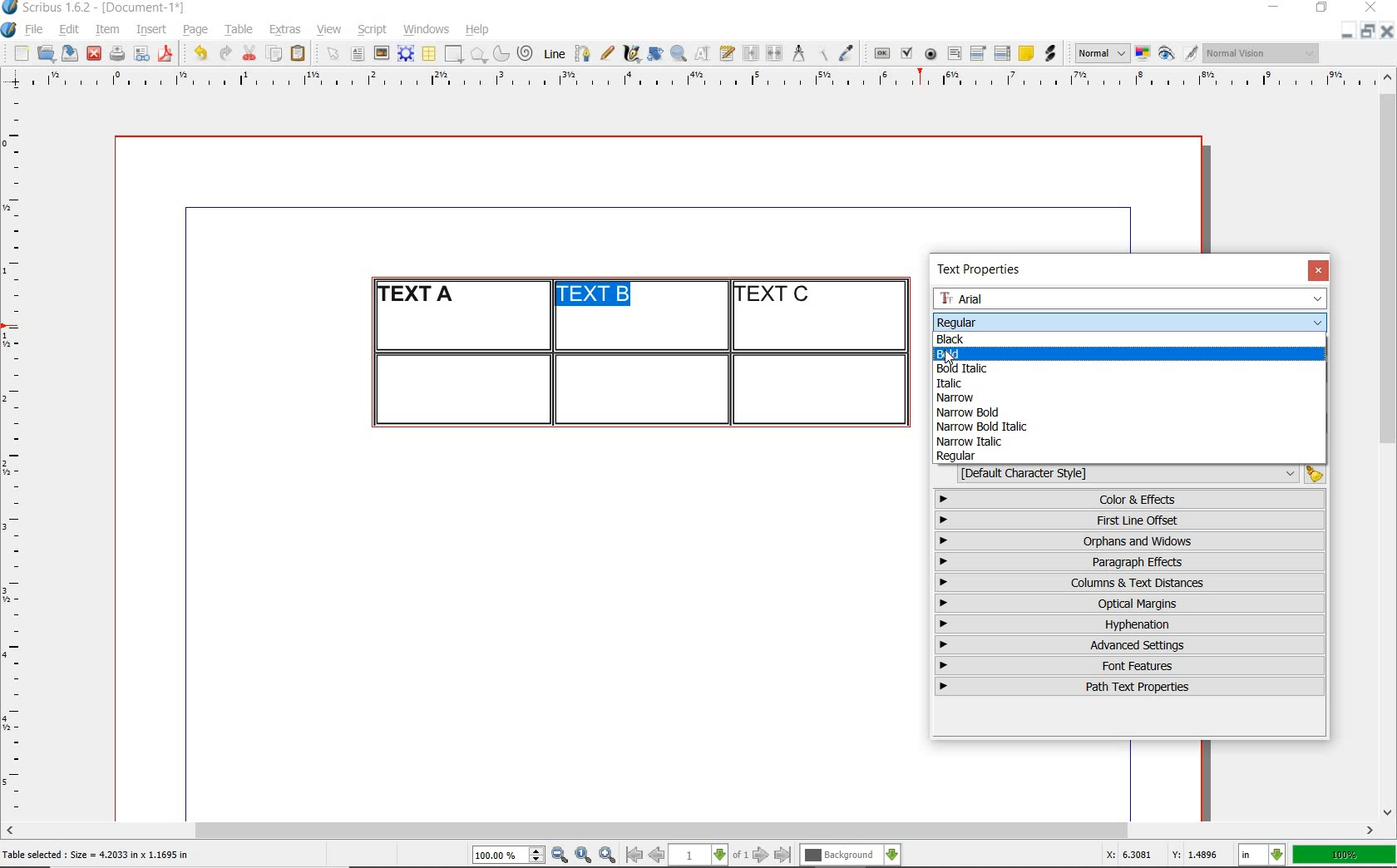 The image size is (1397, 868). I want to click on zoom out, so click(560, 856).